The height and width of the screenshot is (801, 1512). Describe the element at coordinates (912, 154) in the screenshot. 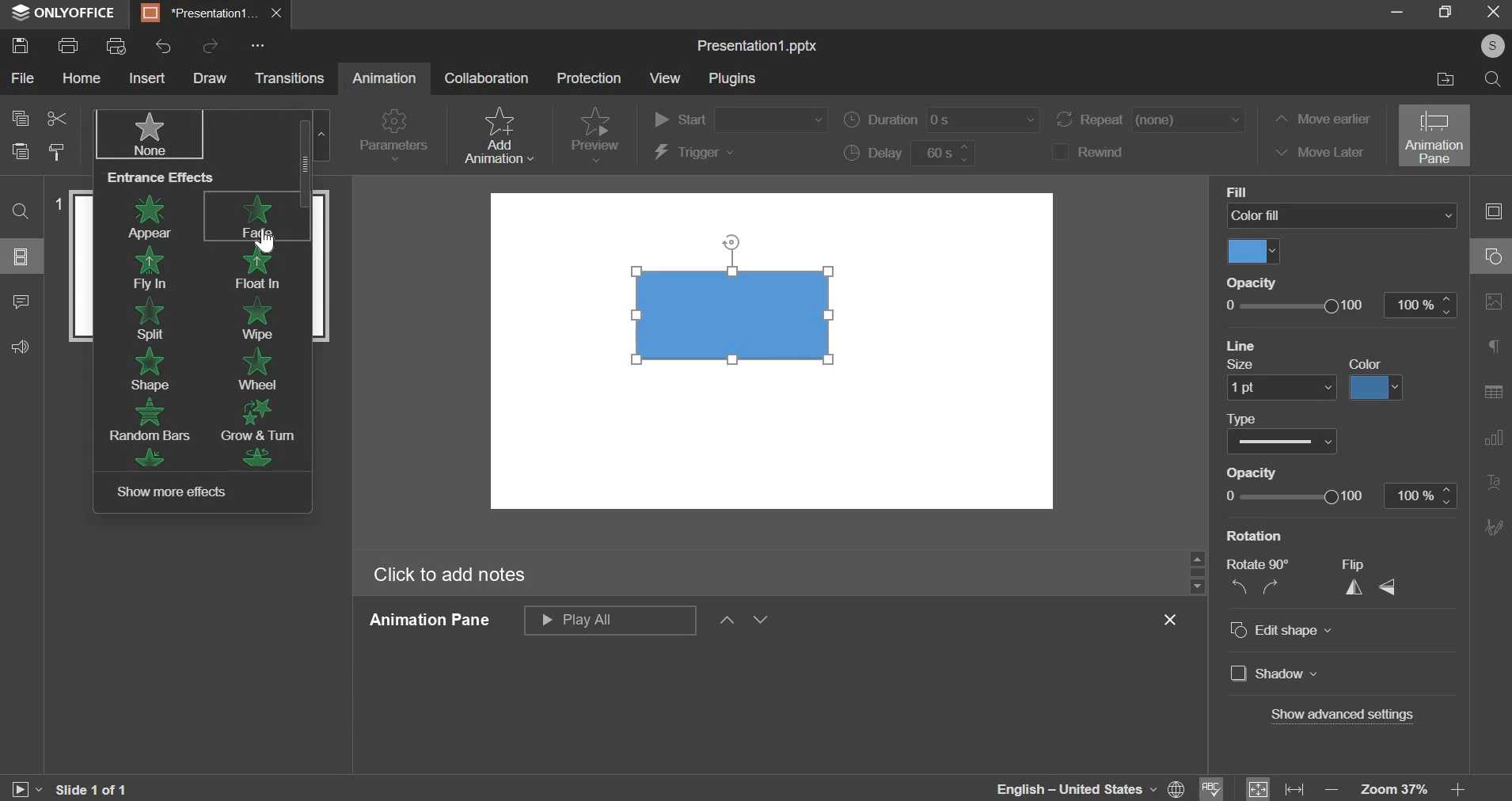

I see `delay` at that location.